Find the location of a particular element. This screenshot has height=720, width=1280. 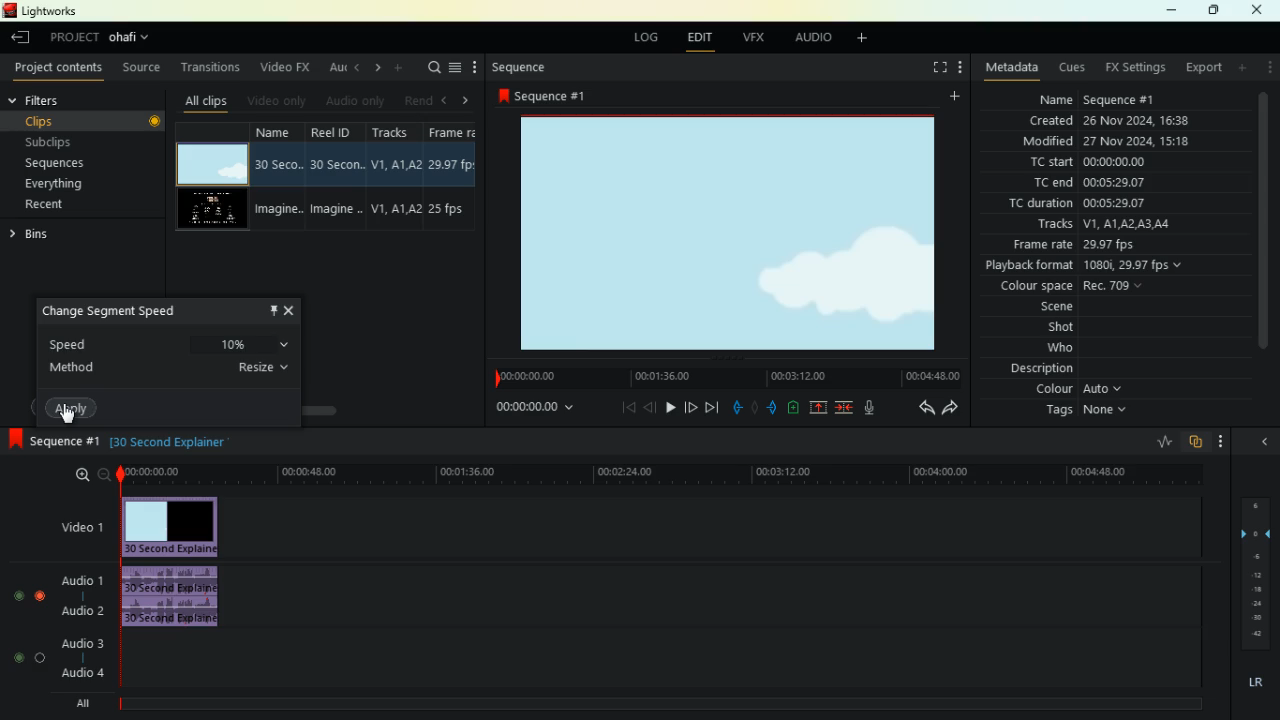

Mouse Cursor is located at coordinates (68, 416).